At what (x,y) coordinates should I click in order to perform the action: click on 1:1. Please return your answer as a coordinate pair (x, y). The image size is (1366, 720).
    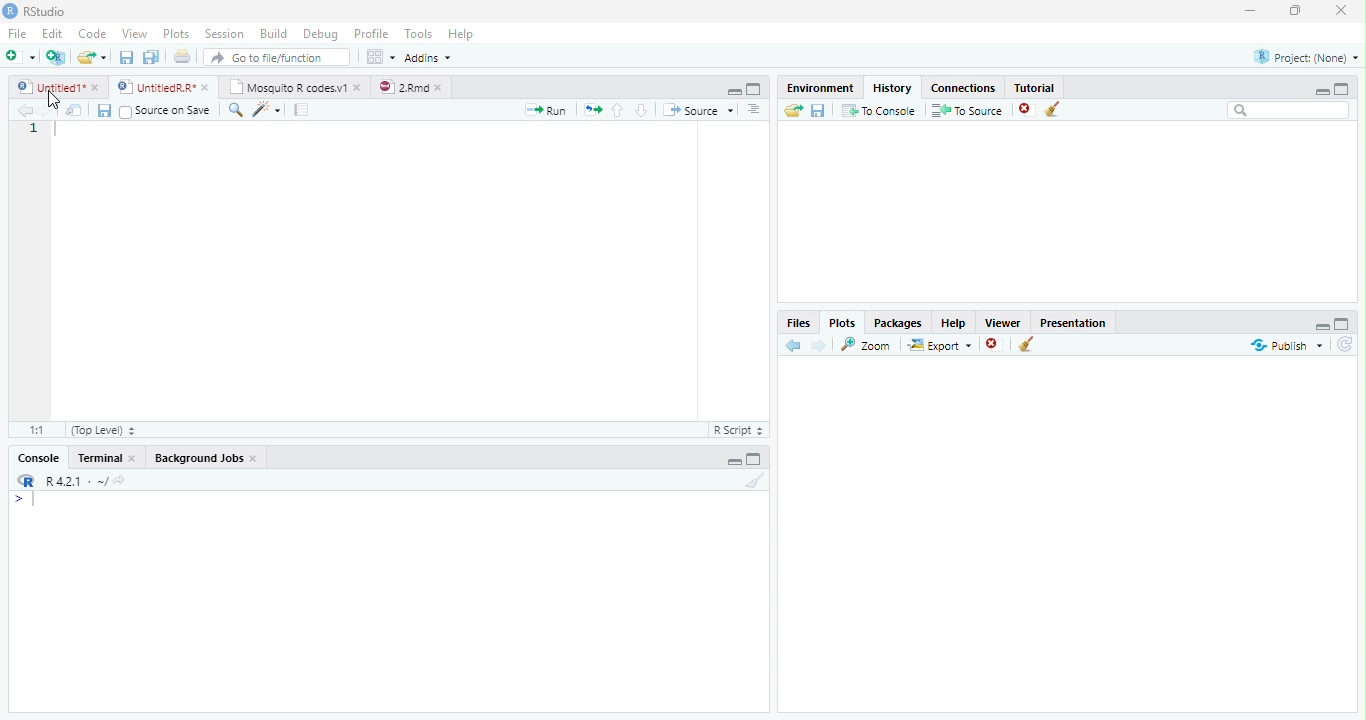
    Looking at the image, I should click on (35, 430).